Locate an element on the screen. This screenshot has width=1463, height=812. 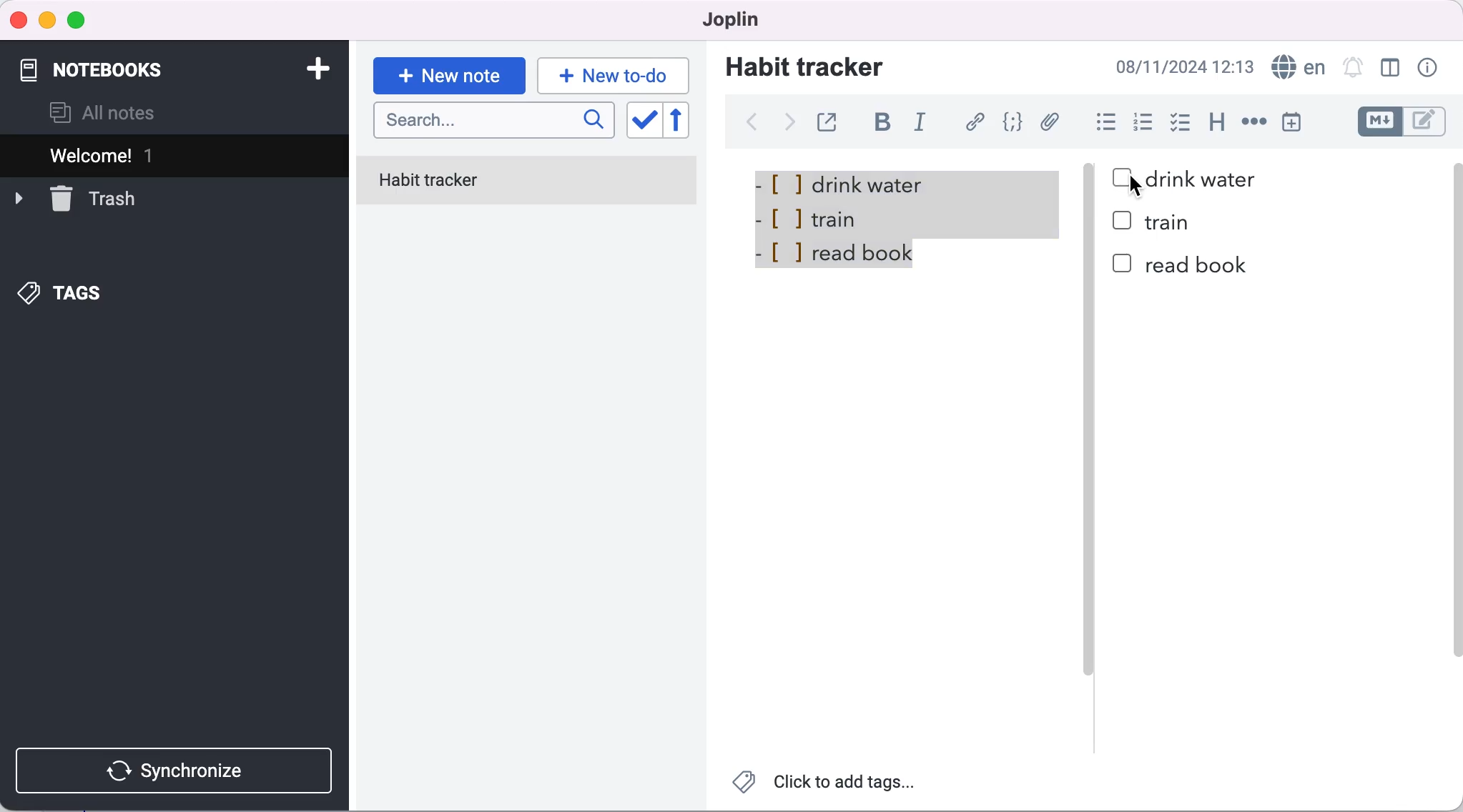
08/11/2024 12:13 is located at coordinates (1181, 66).